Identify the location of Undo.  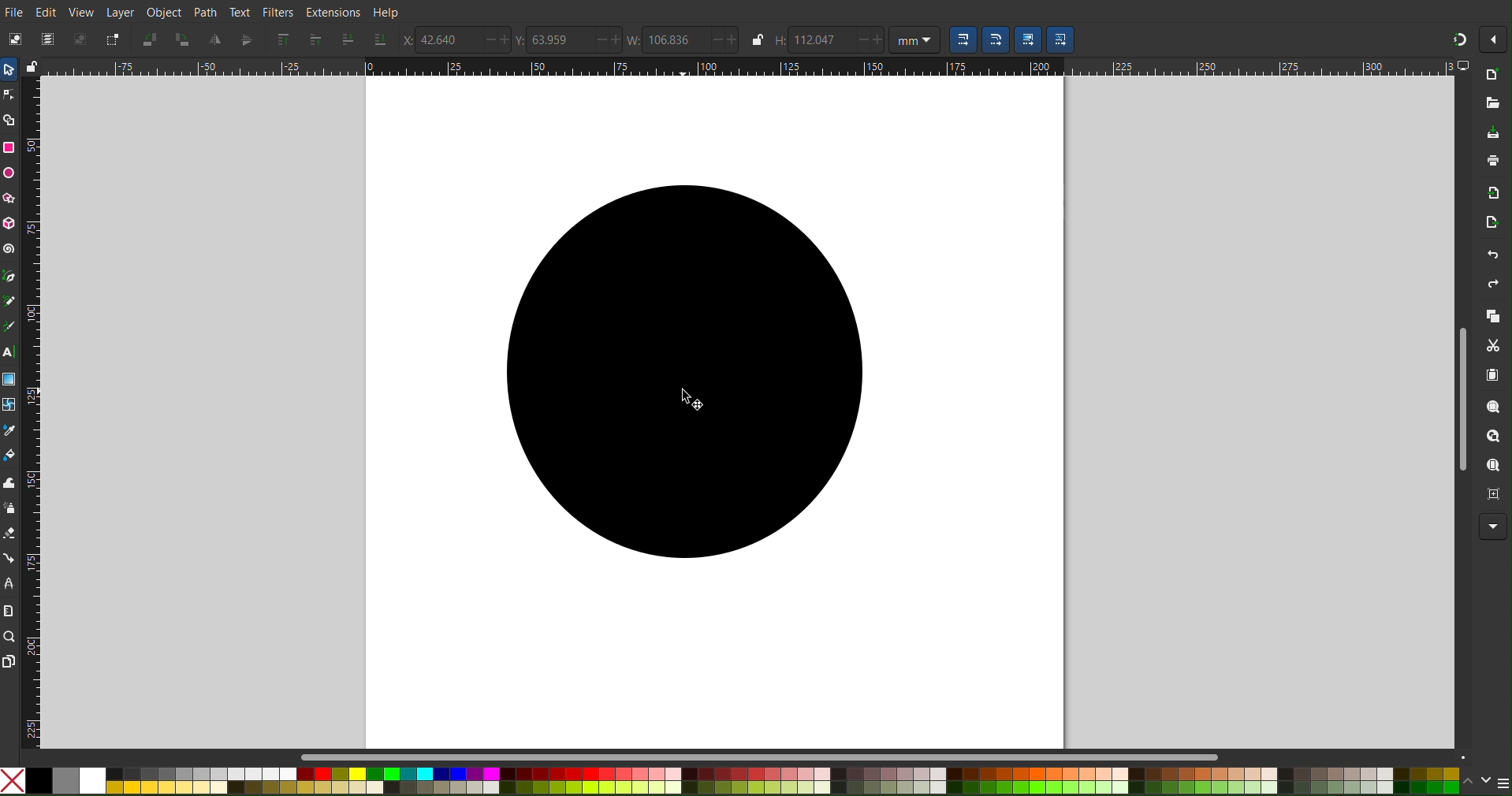
(1492, 253).